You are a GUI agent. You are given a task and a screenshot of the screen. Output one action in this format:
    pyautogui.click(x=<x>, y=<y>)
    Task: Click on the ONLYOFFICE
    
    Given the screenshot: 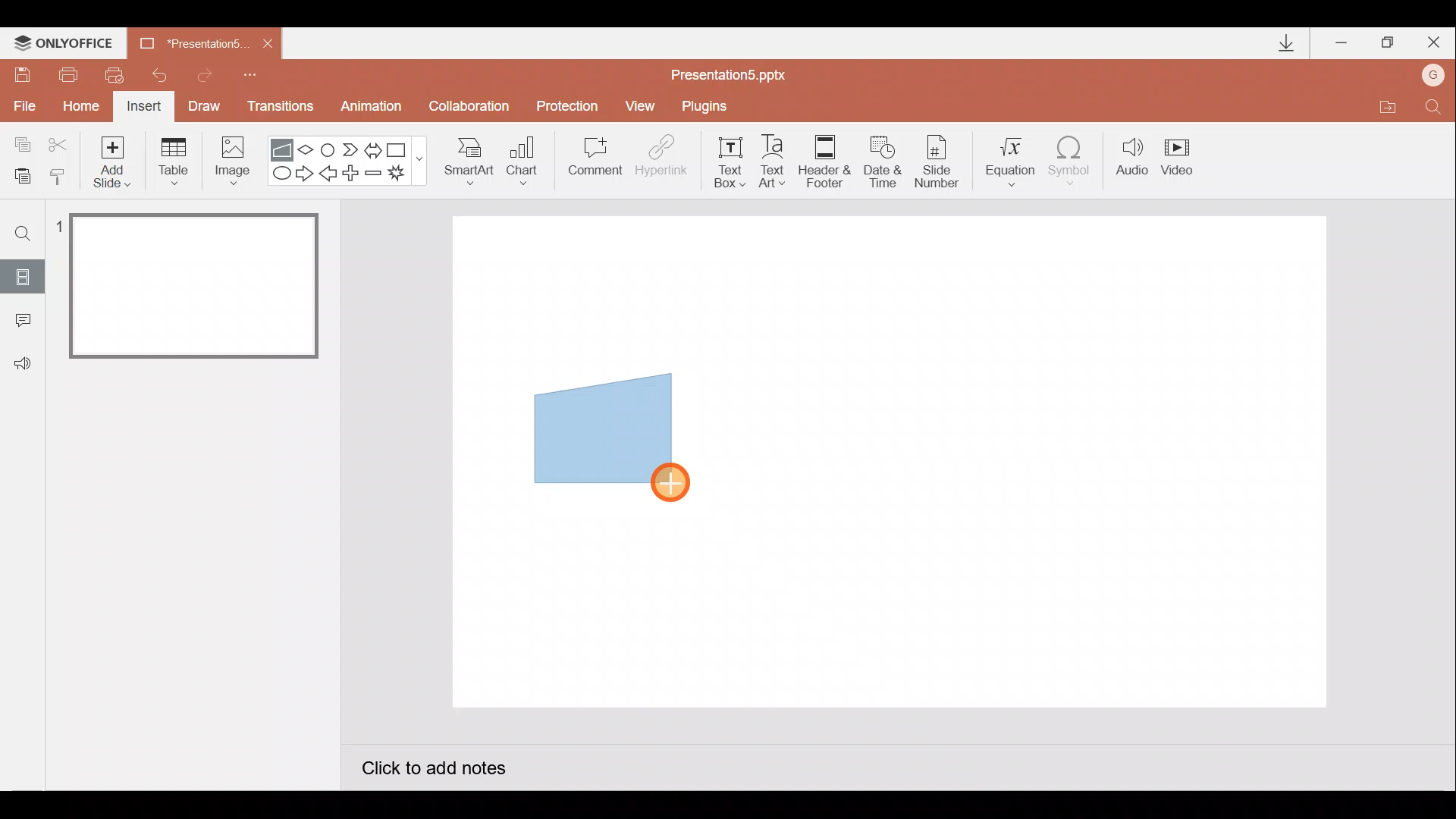 What is the action you would take?
    pyautogui.click(x=67, y=43)
    